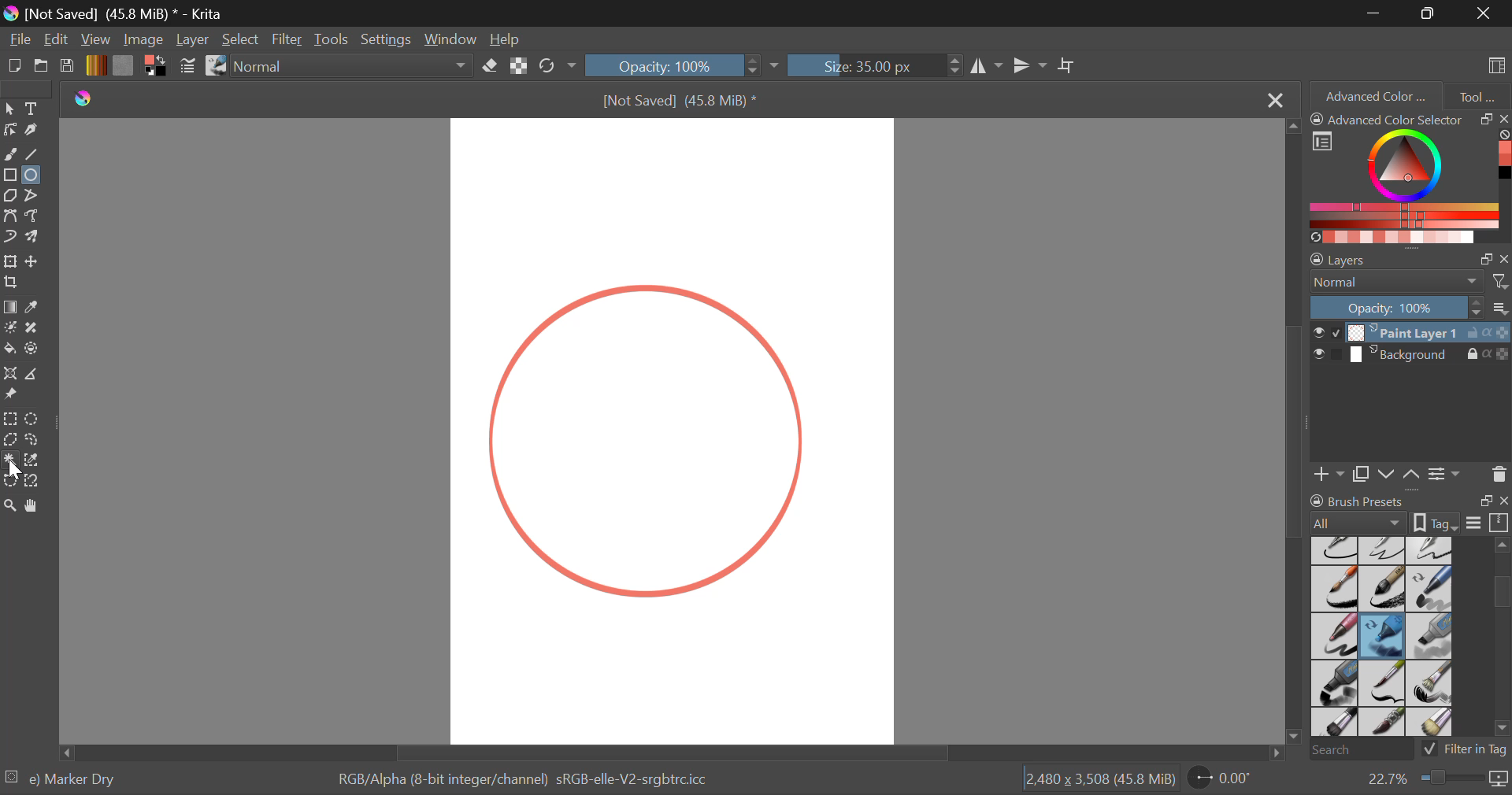 This screenshot has width=1512, height=795. Describe the element at coordinates (36, 308) in the screenshot. I see `Eyedropper` at that location.